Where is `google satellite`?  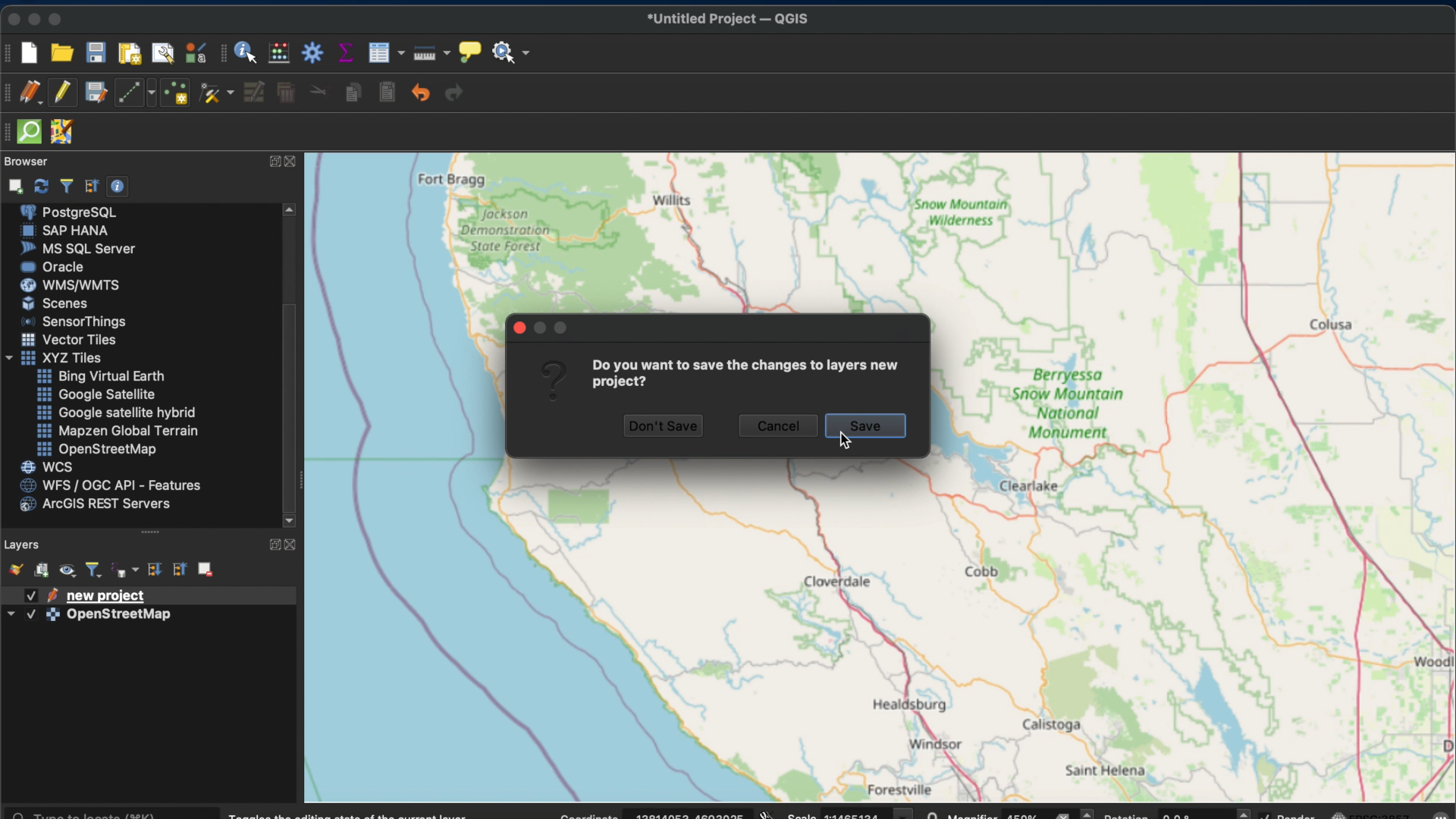 google satellite is located at coordinates (95, 395).